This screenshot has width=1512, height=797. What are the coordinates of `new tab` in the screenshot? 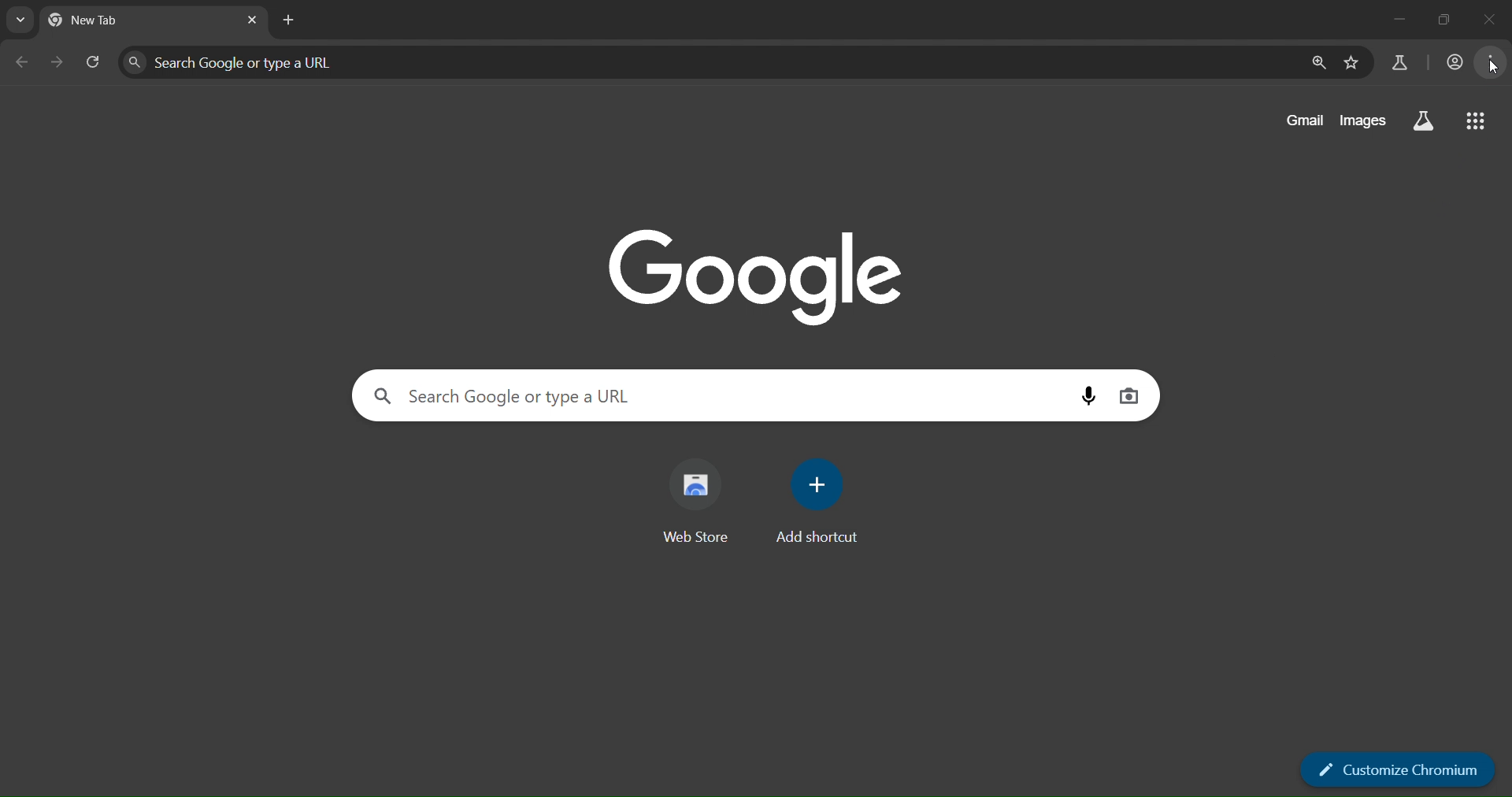 It's located at (288, 21).